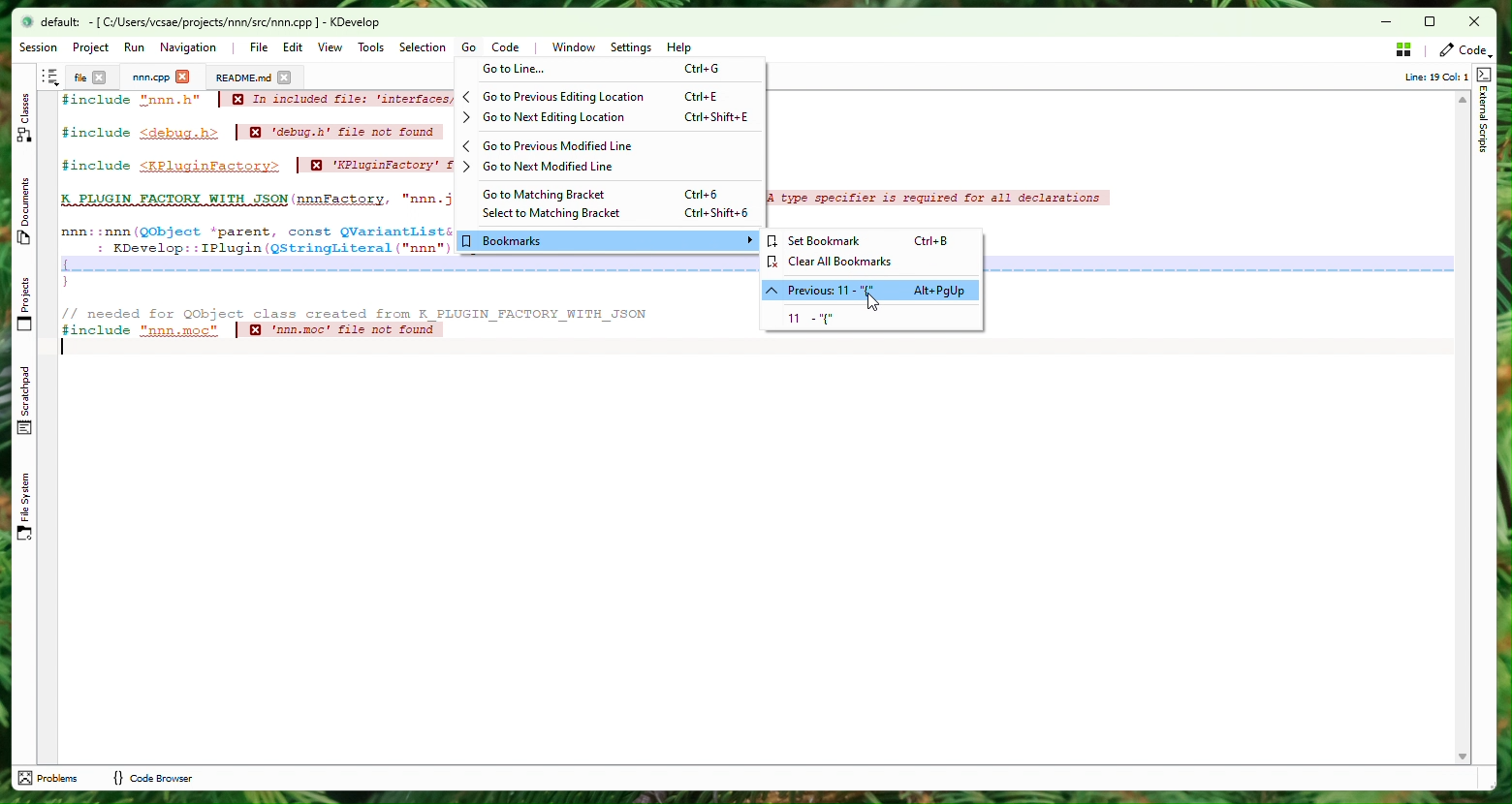  I want to click on Code, so click(255, 228).